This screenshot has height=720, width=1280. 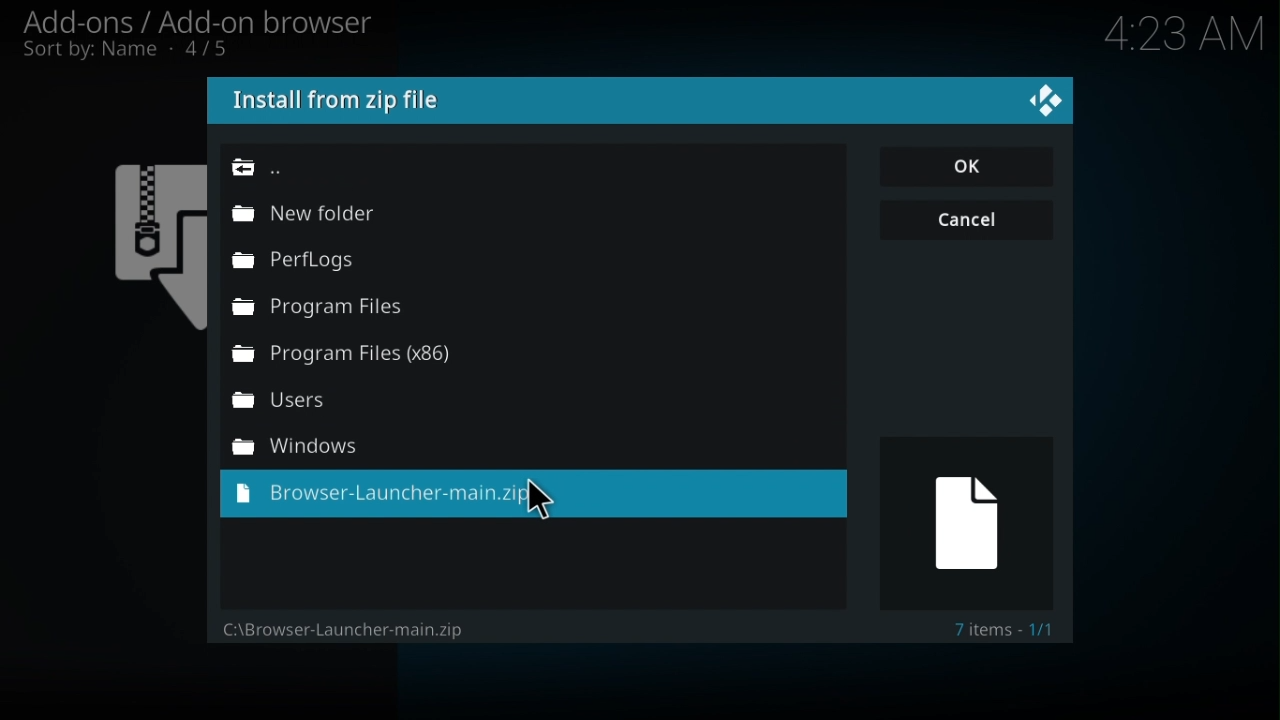 I want to click on New folder, so click(x=332, y=212).